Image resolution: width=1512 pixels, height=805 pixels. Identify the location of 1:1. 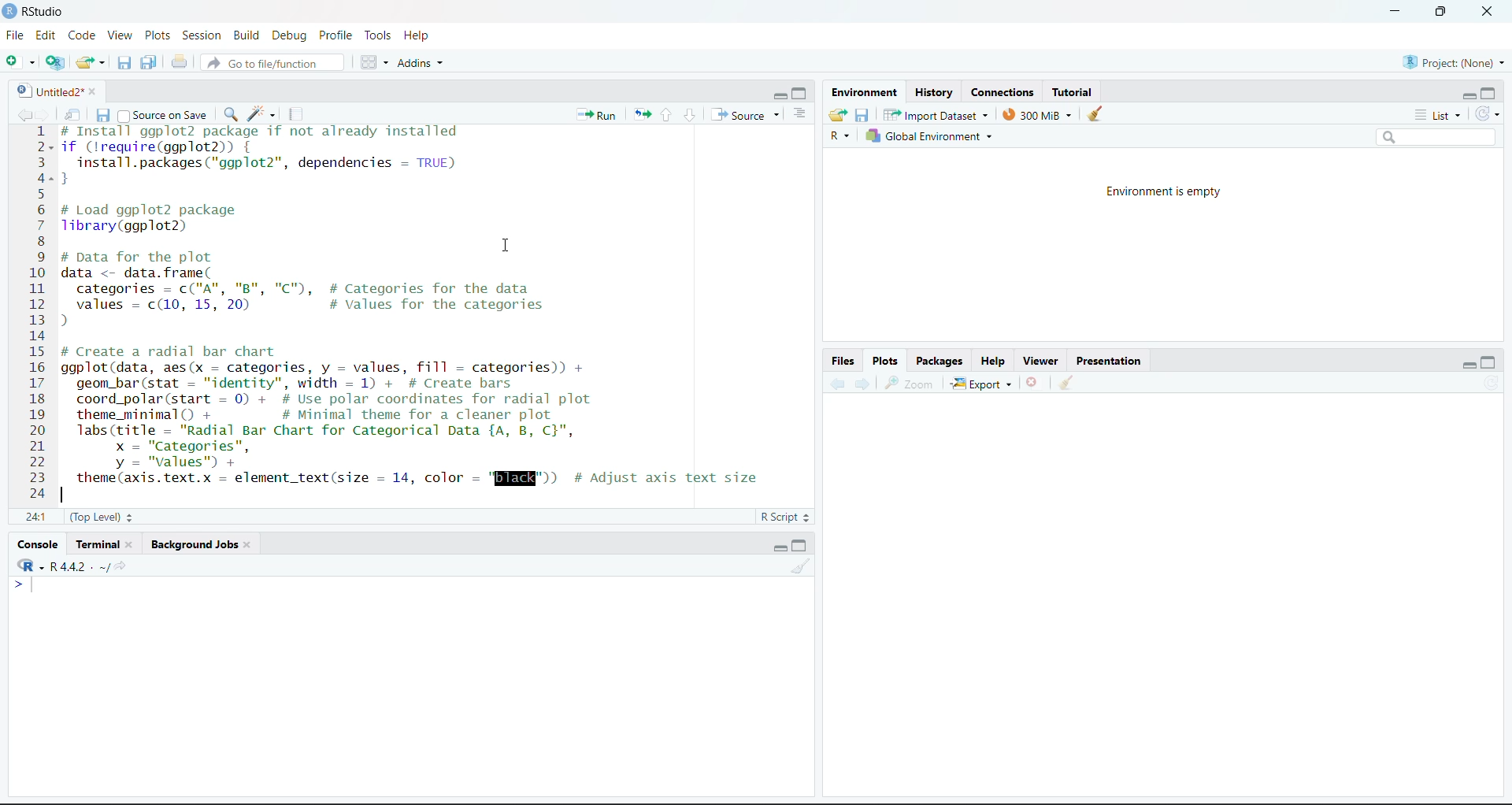
(35, 517).